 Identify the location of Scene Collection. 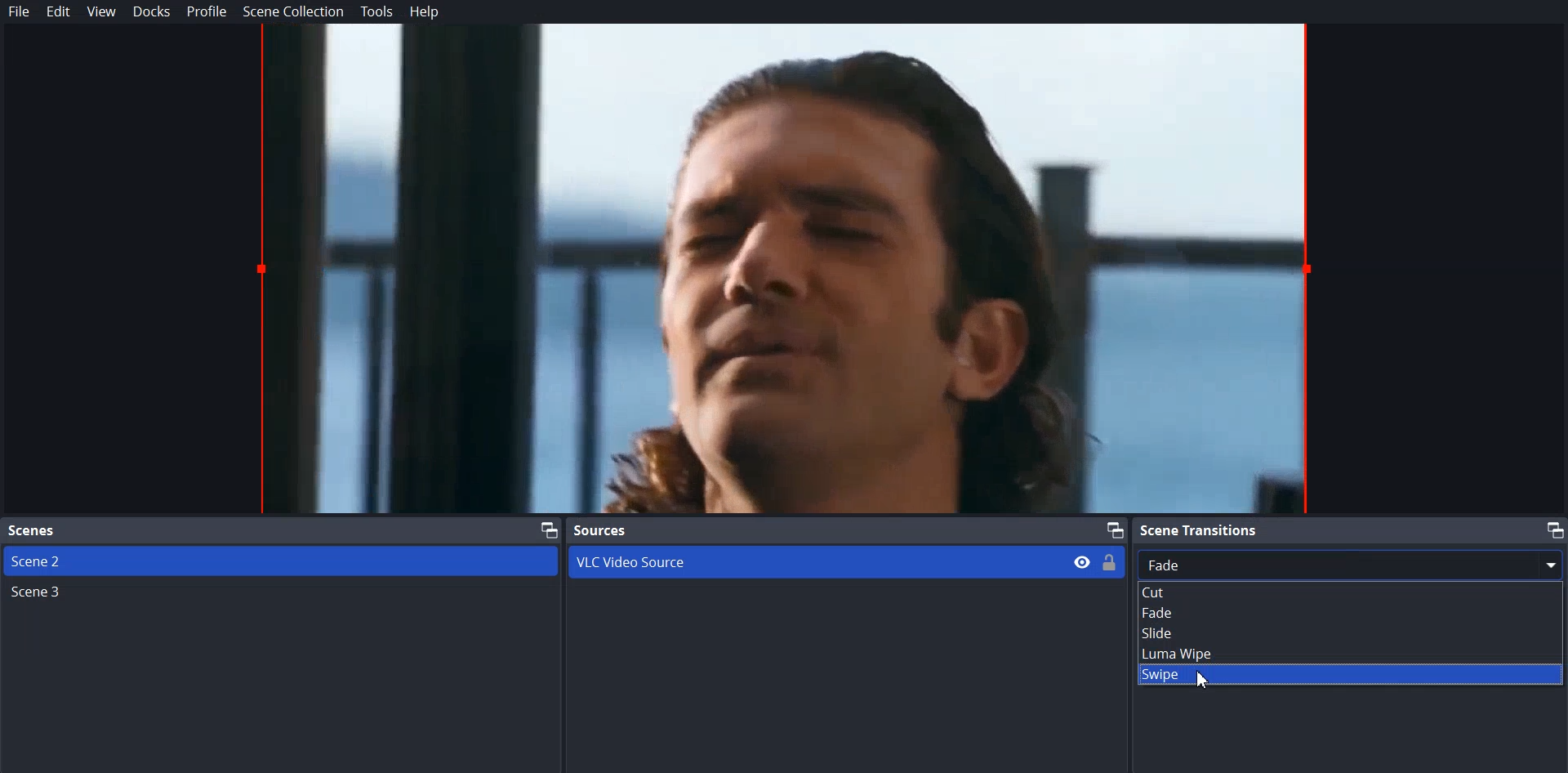
(293, 11).